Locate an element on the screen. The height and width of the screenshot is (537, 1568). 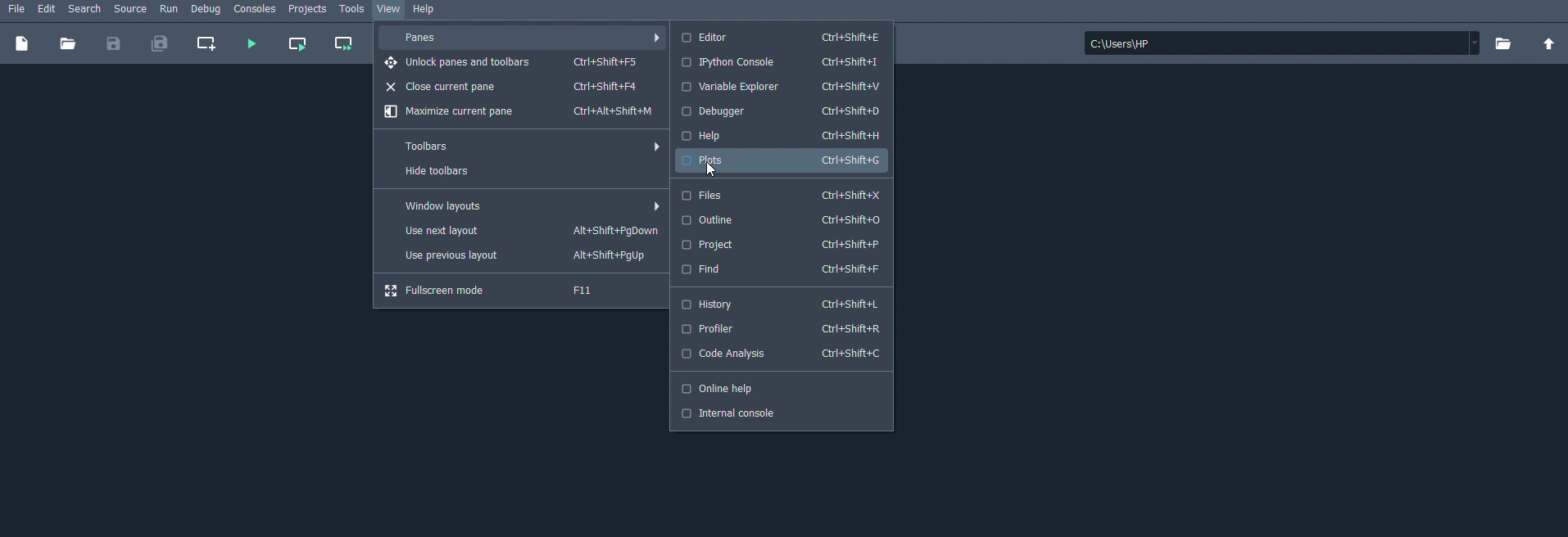
Editor is located at coordinates (786, 39).